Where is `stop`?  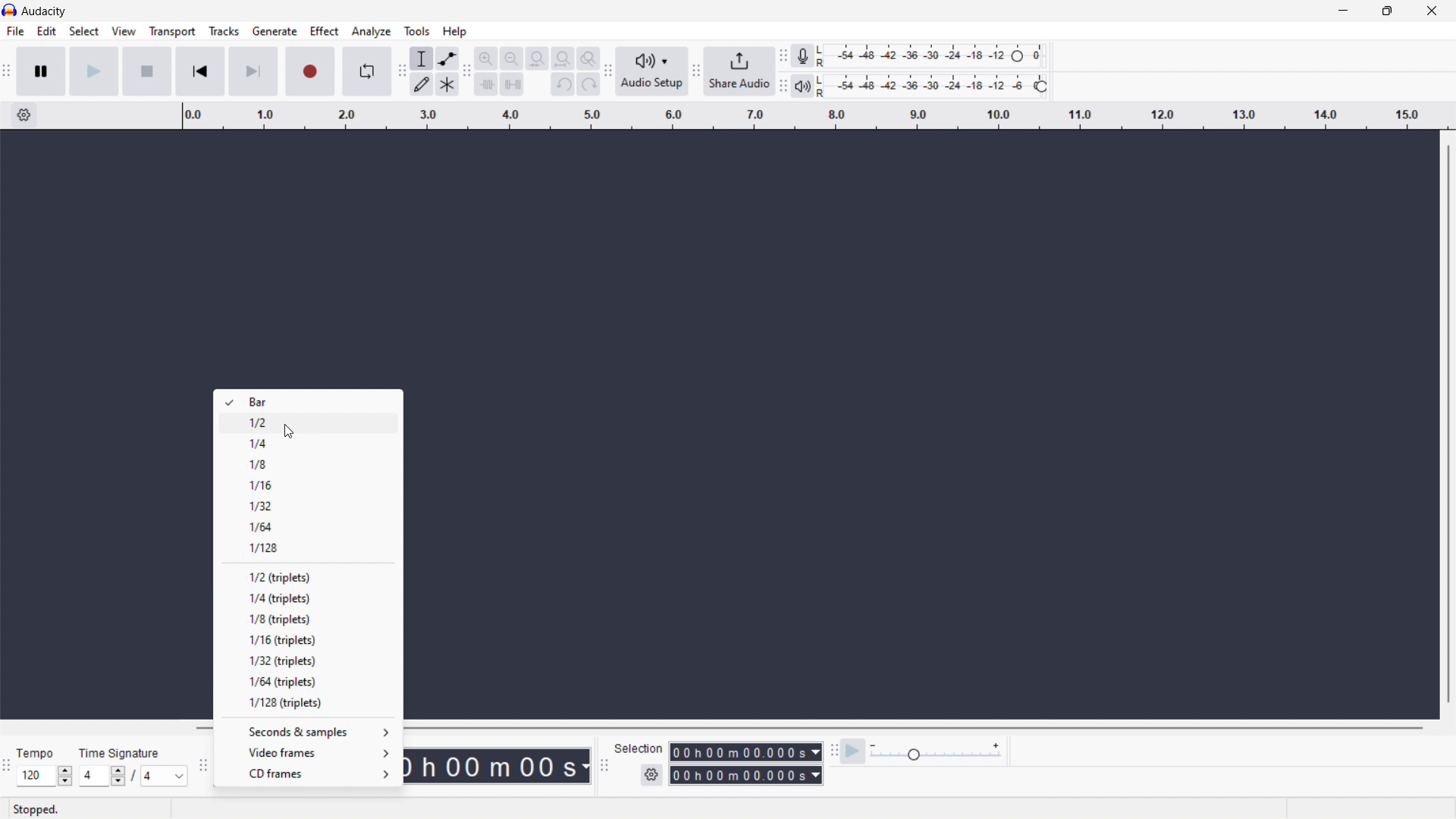 stop is located at coordinates (146, 72).